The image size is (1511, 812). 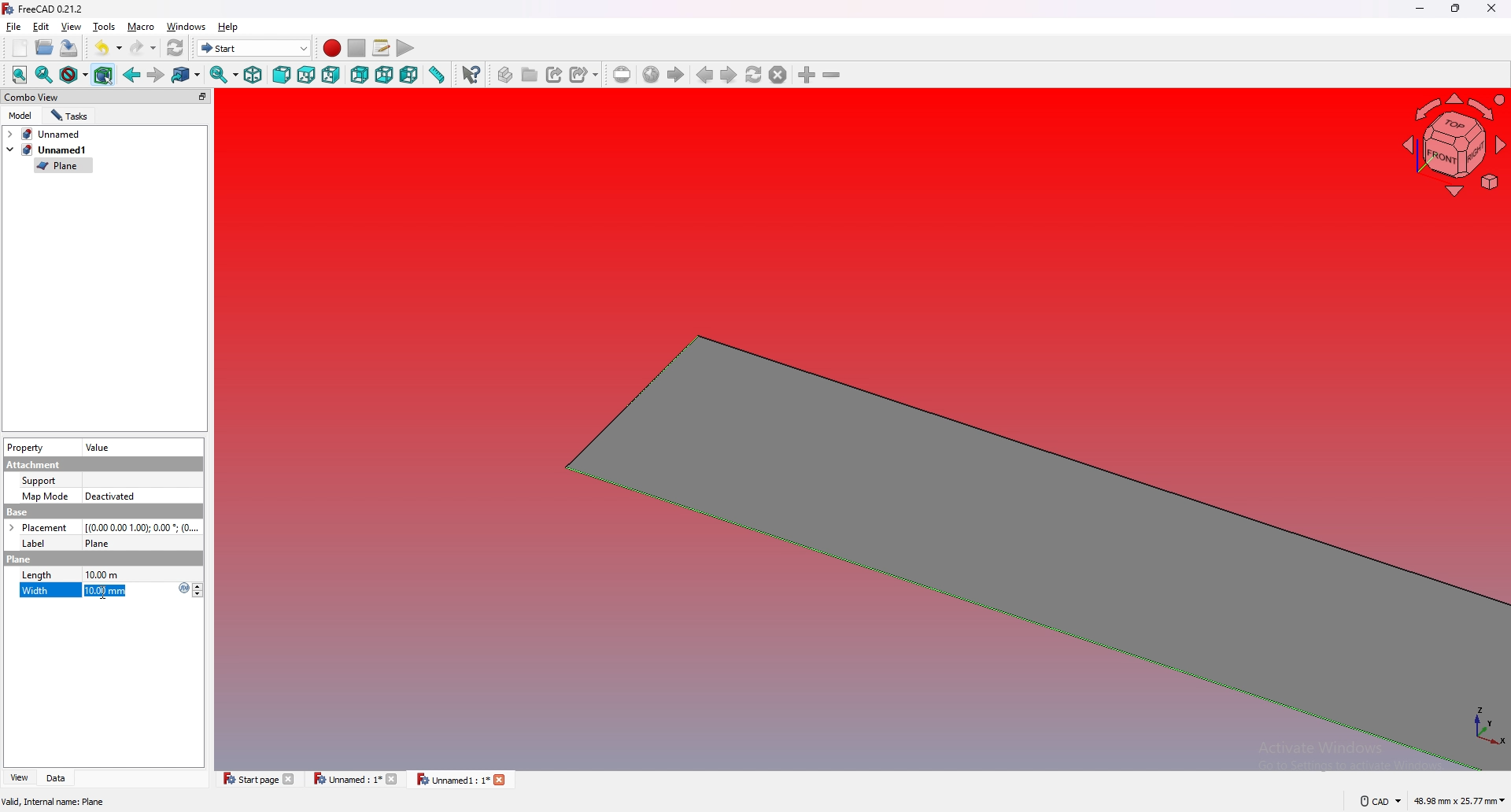 What do you see at coordinates (357, 48) in the screenshot?
I see `stop recording macros` at bounding box center [357, 48].